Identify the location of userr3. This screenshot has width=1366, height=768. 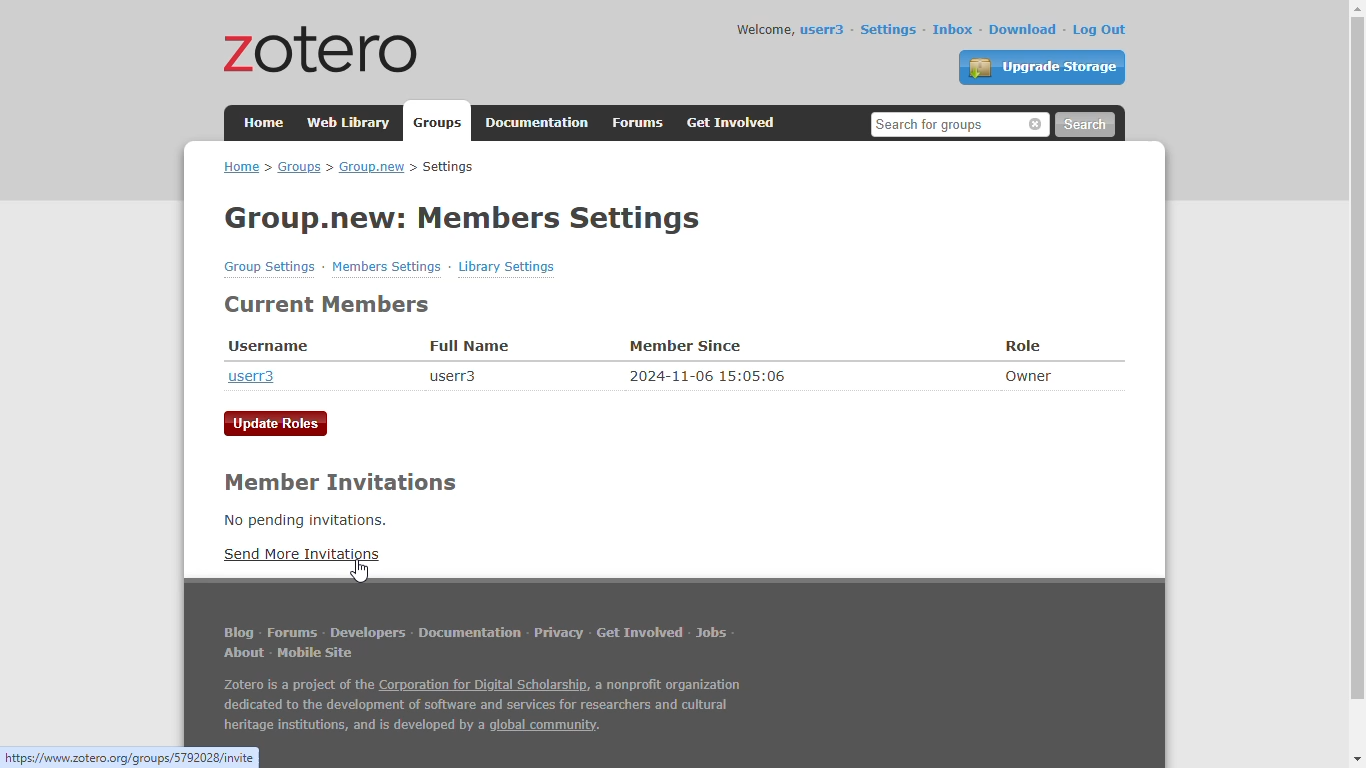
(251, 376).